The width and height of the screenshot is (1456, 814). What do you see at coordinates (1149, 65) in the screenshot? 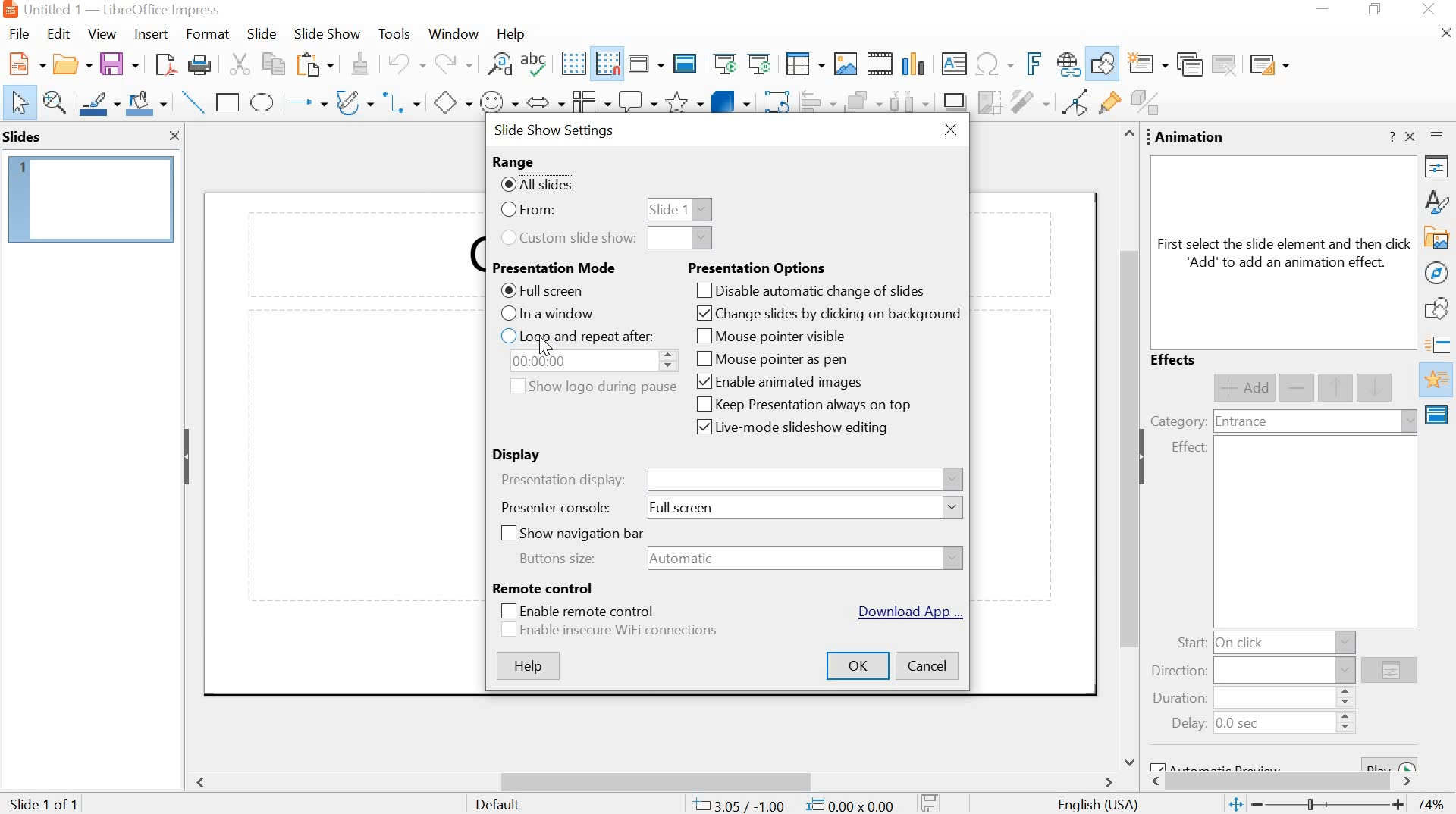
I see `new slide` at bounding box center [1149, 65].